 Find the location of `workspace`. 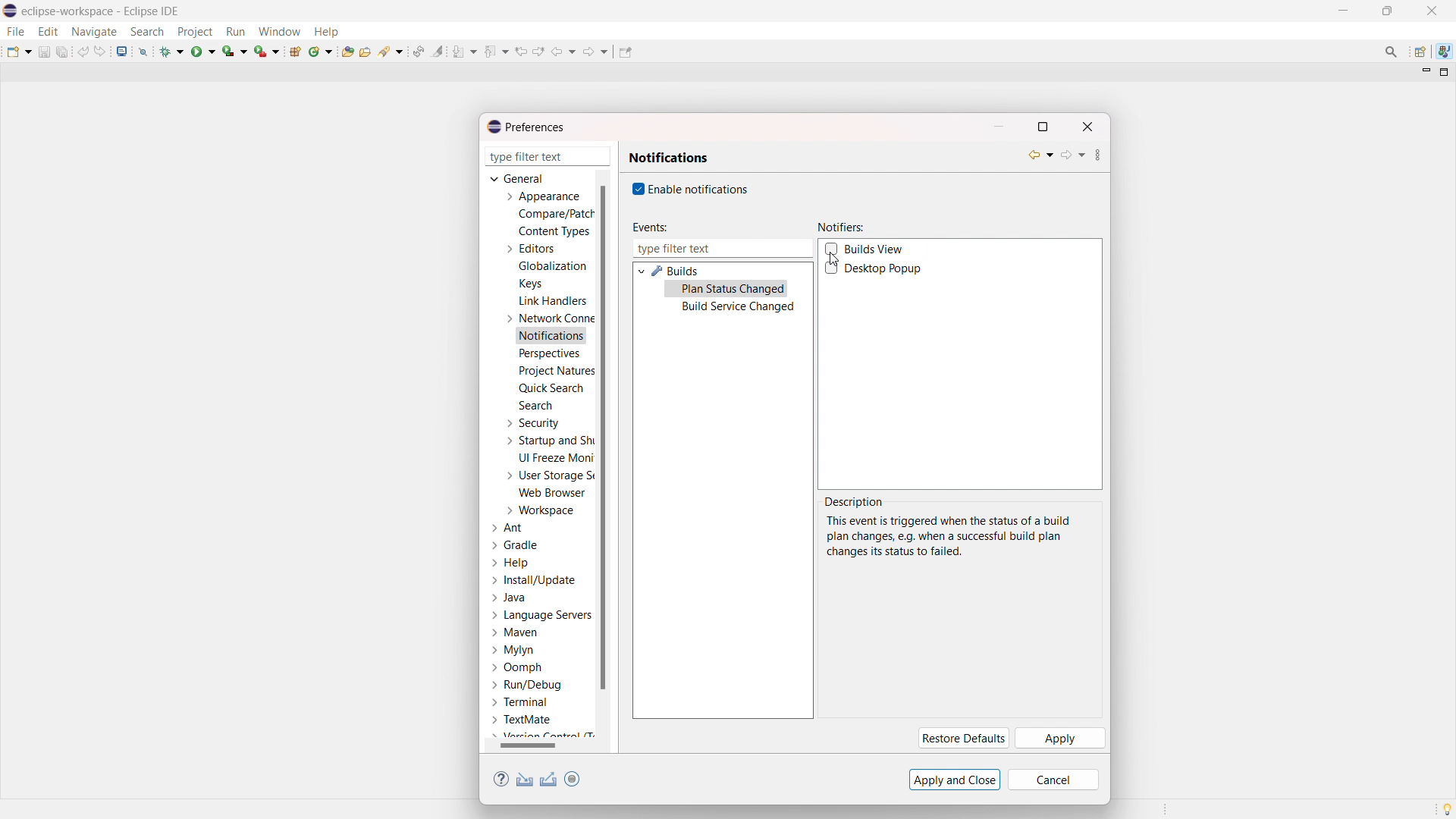

workspace is located at coordinates (539, 510).